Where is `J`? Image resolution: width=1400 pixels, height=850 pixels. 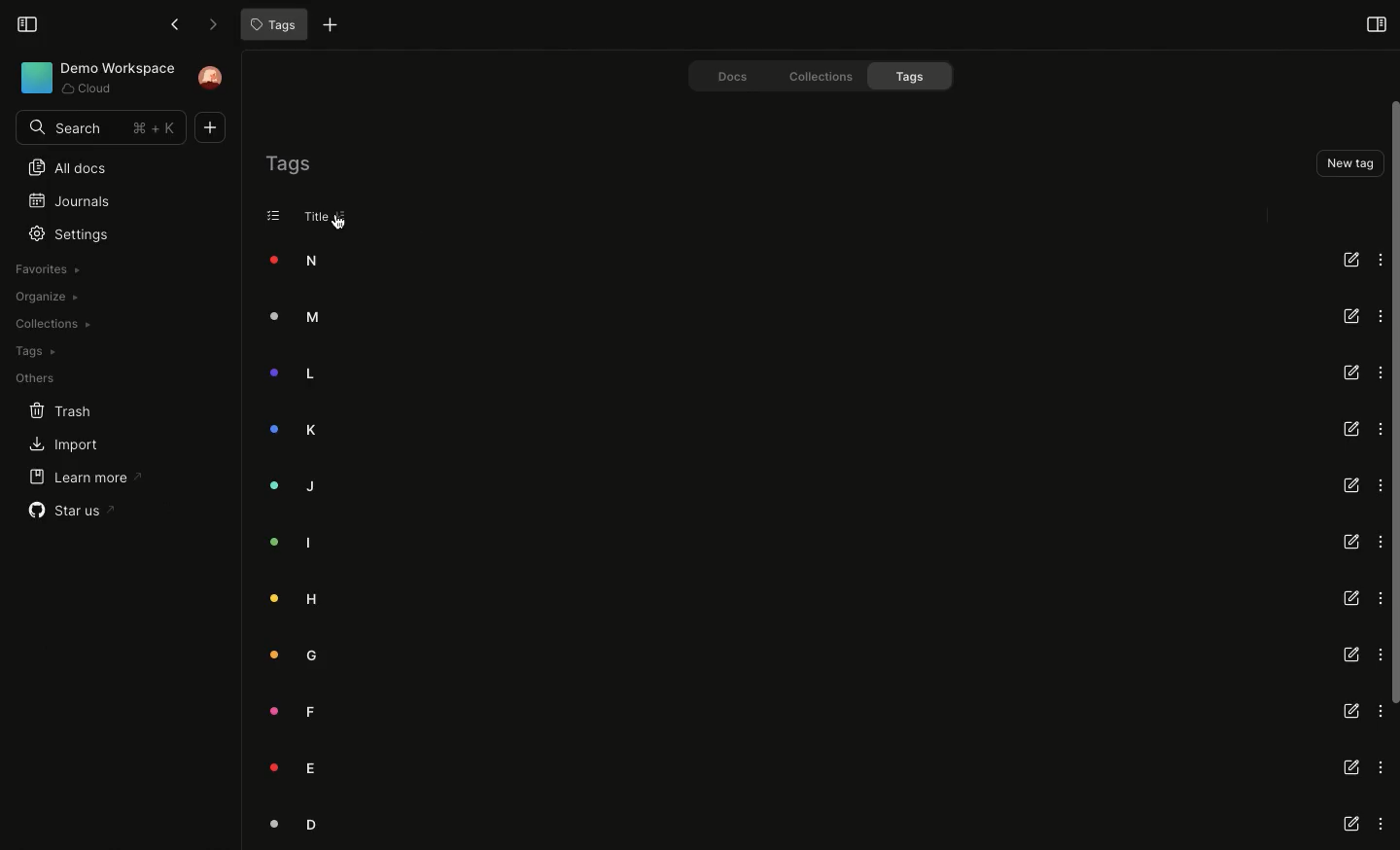 J is located at coordinates (290, 484).